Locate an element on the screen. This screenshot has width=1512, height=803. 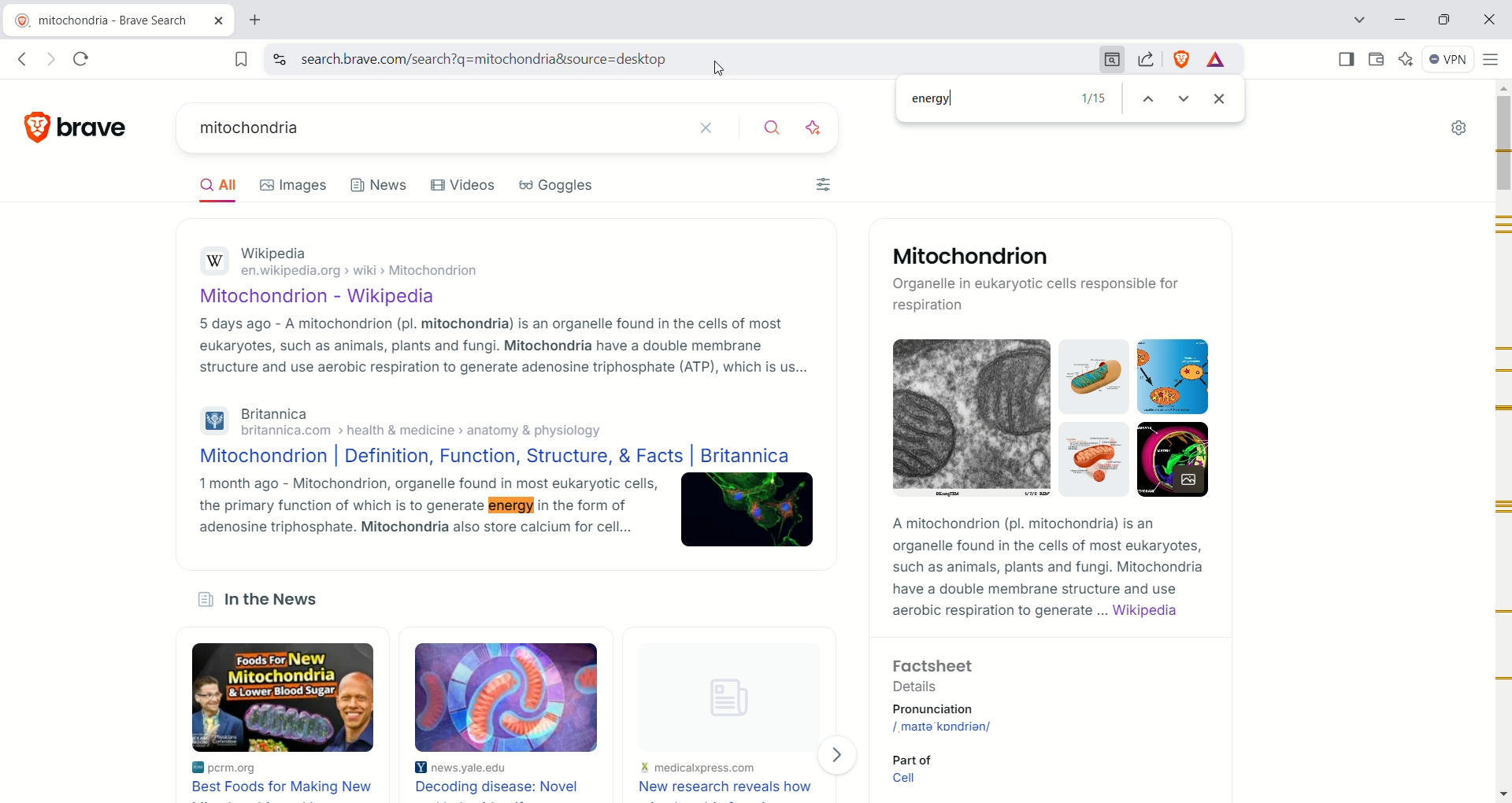
Restore down is located at coordinates (1447, 19).